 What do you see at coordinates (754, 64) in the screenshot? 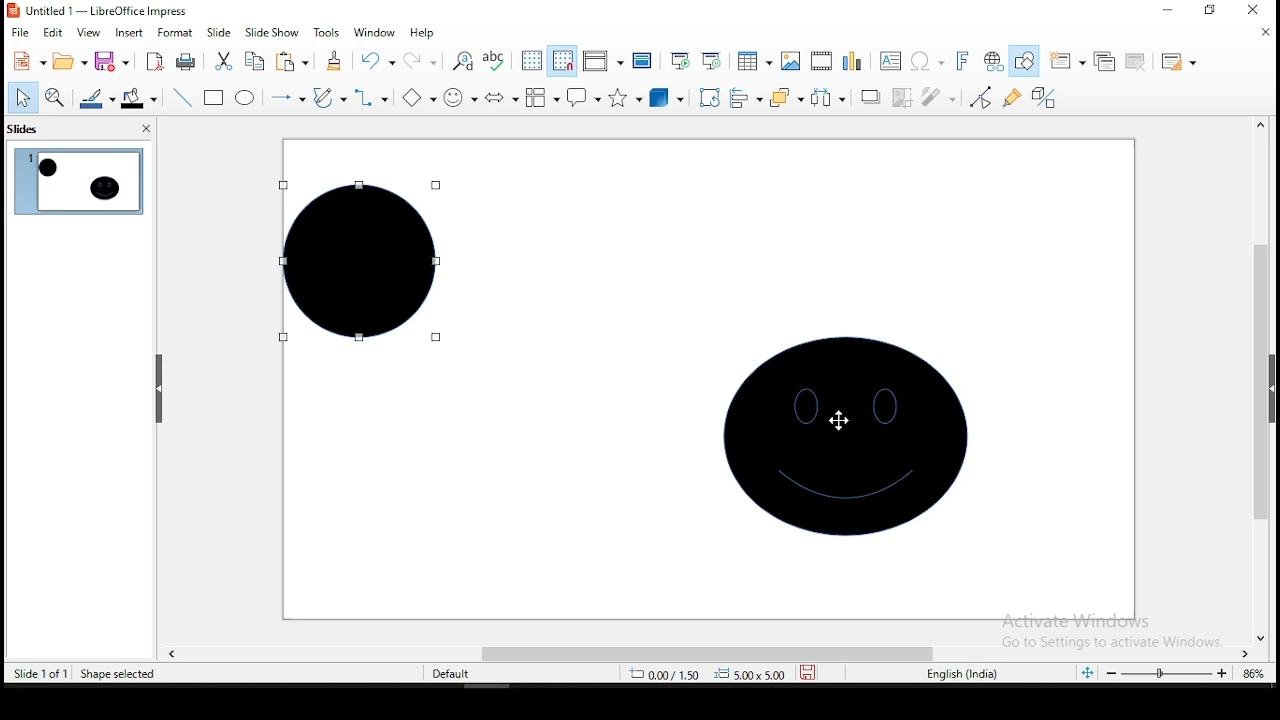
I see `tables` at bounding box center [754, 64].